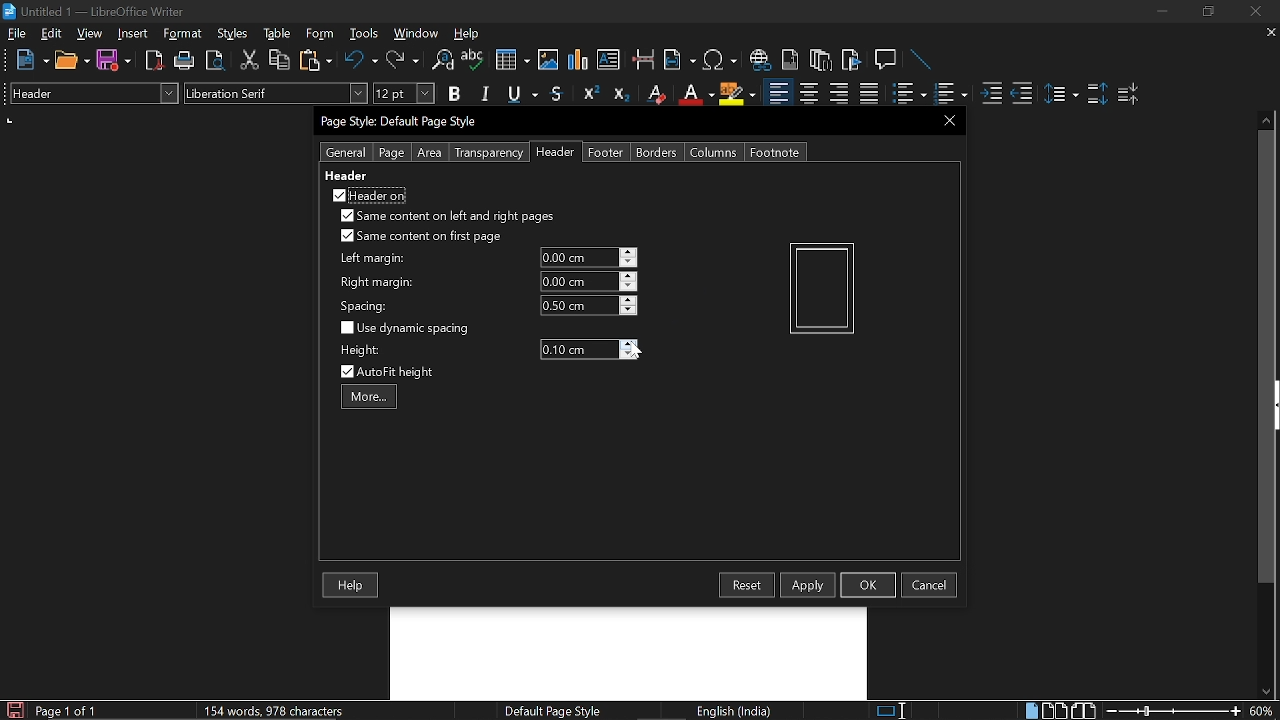  I want to click on Transparency, so click(487, 153).